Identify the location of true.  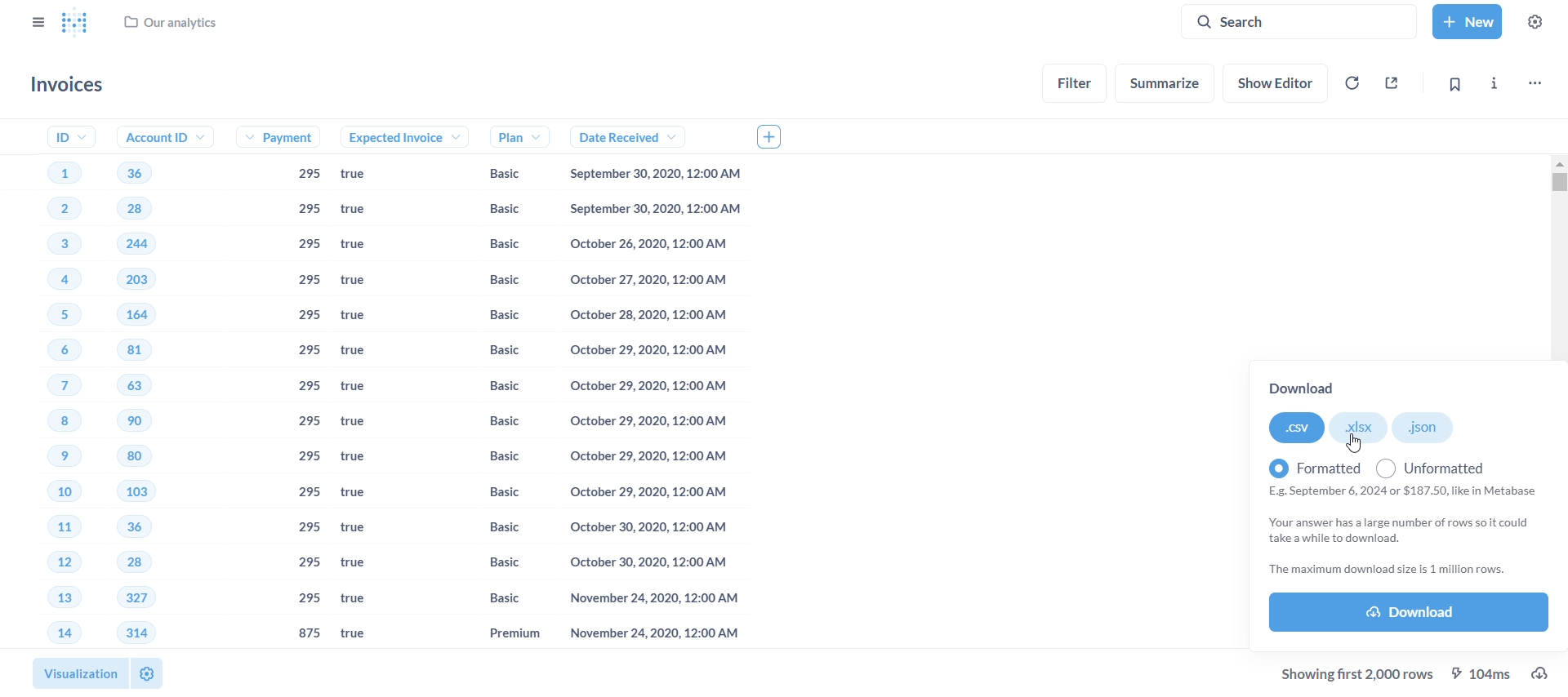
(362, 281).